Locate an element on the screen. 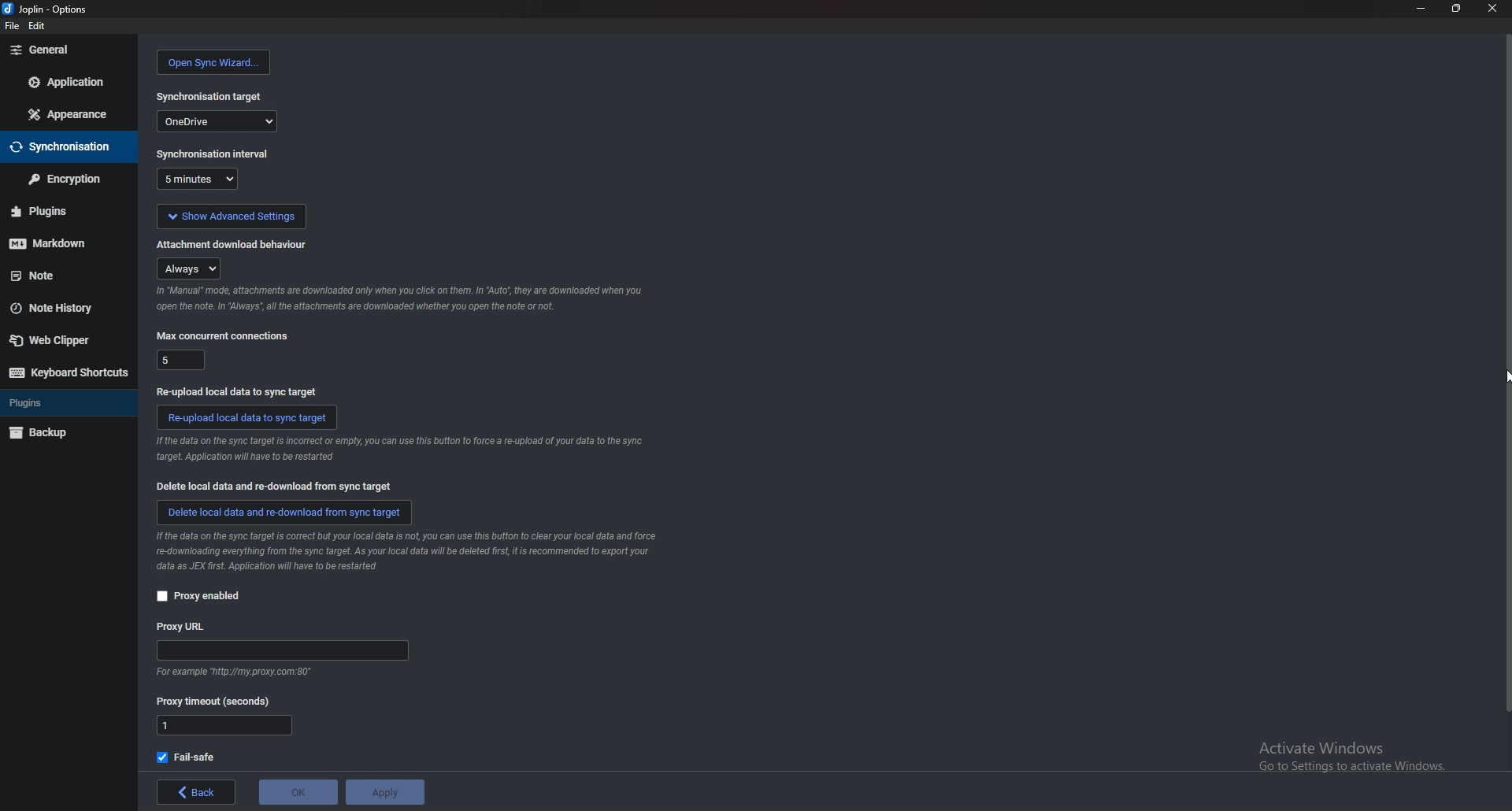  max concurrent connections is located at coordinates (181, 361).